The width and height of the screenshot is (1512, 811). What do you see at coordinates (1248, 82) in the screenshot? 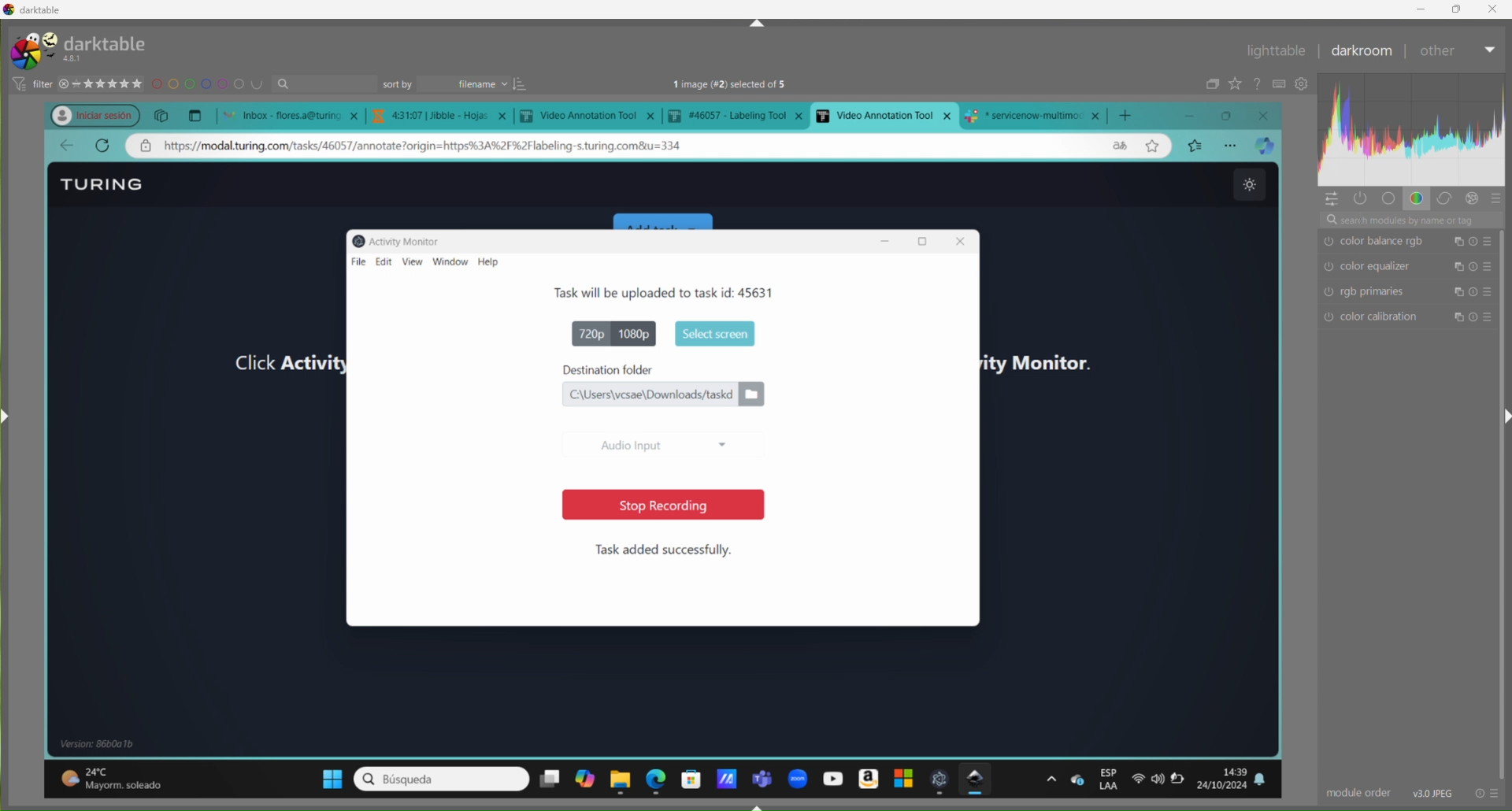
I see `` at bounding box center [1248, 82].